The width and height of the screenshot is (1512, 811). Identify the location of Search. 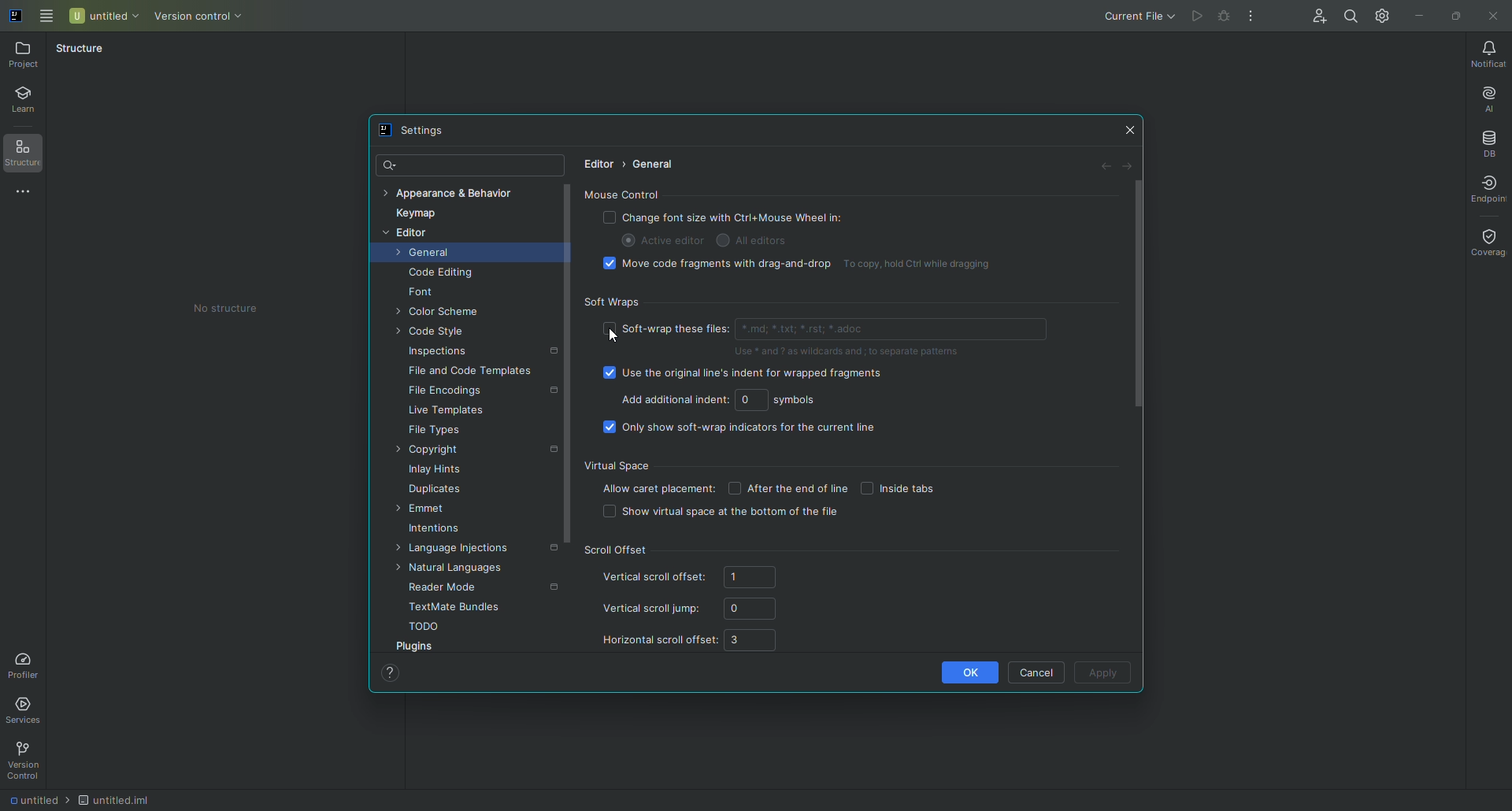
(1351, 17).